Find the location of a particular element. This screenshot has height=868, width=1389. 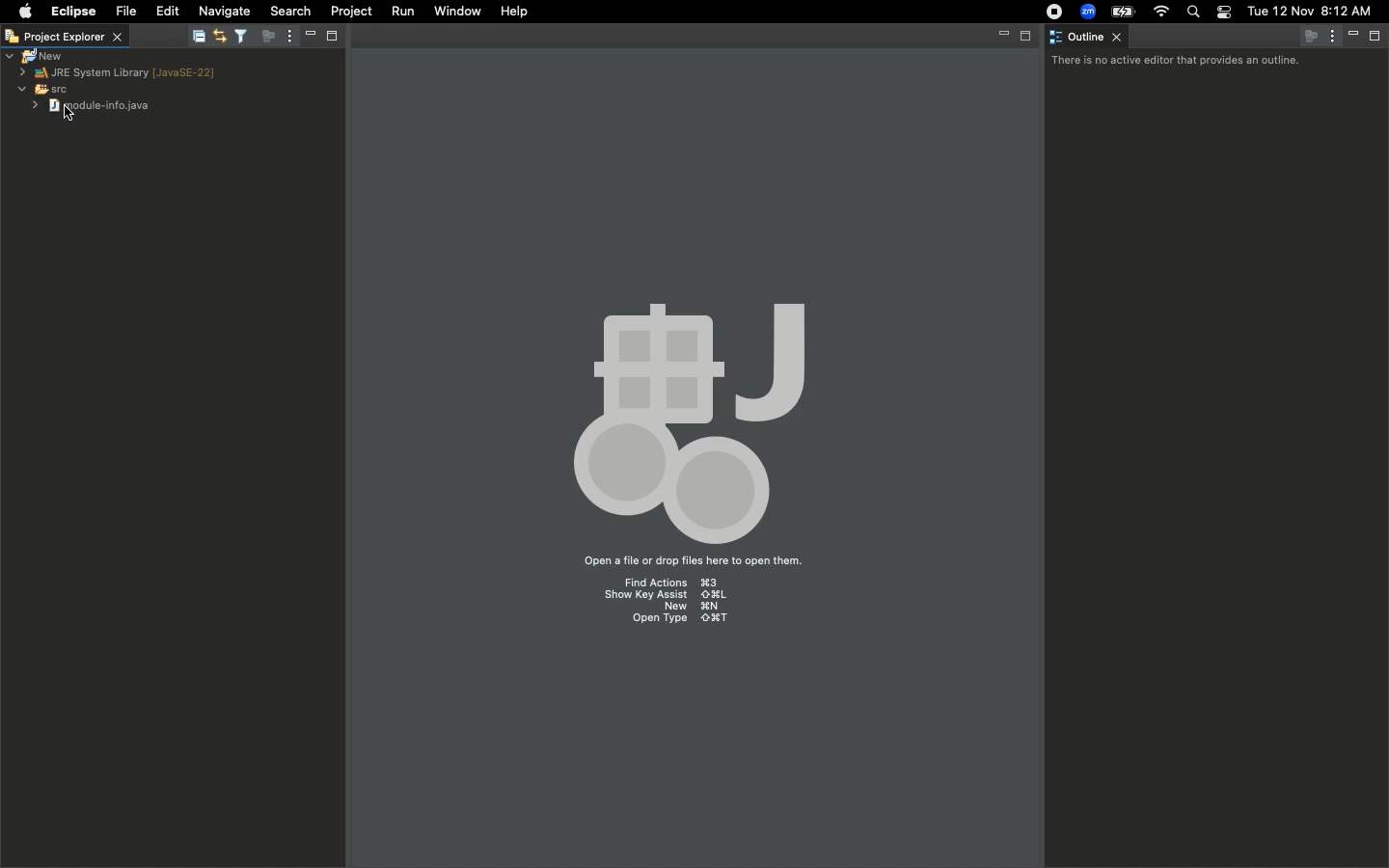

Outline is located at coordinates (1090, 38).